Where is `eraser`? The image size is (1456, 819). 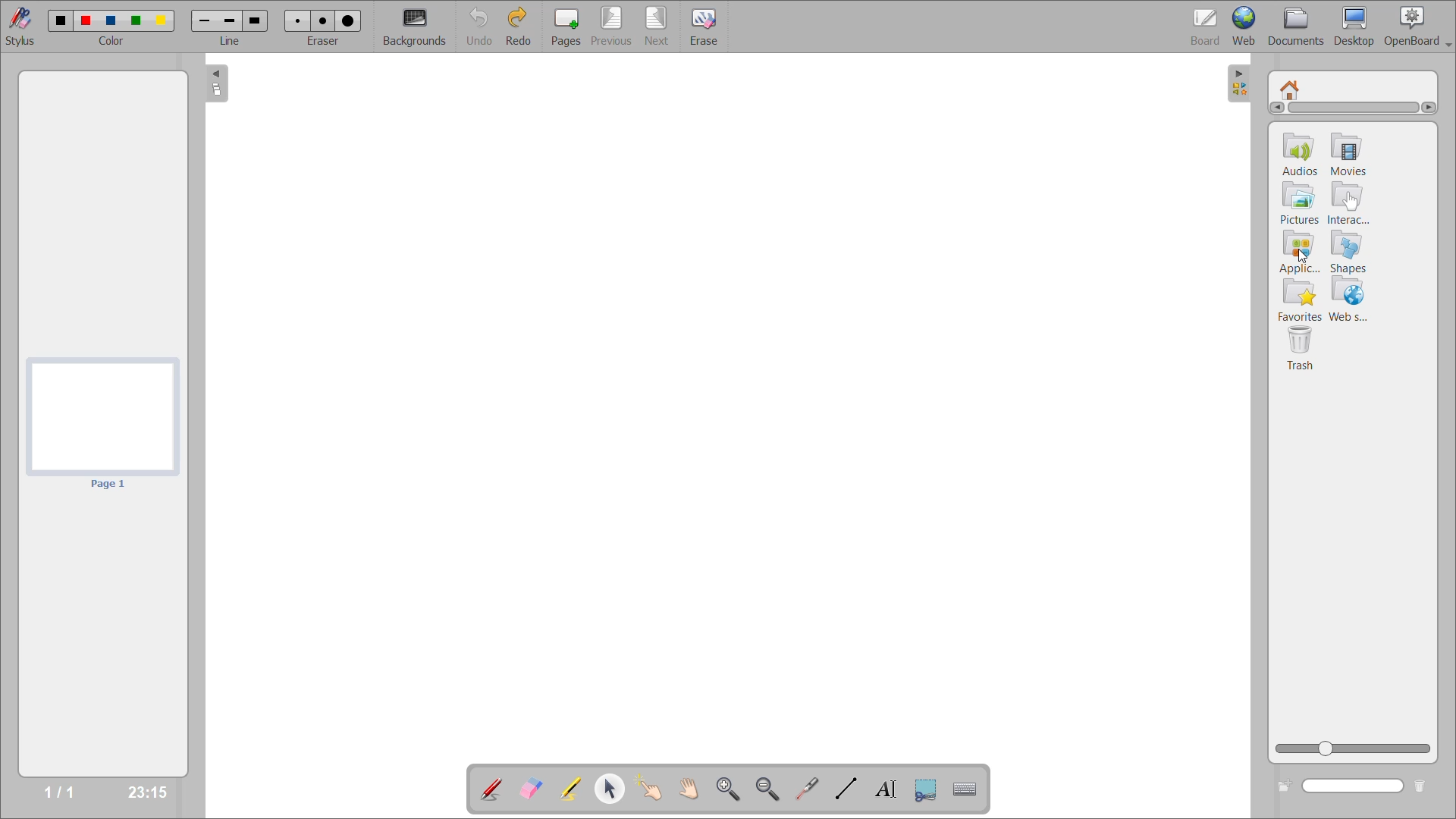
eraser is located at coordinates (324, 40).